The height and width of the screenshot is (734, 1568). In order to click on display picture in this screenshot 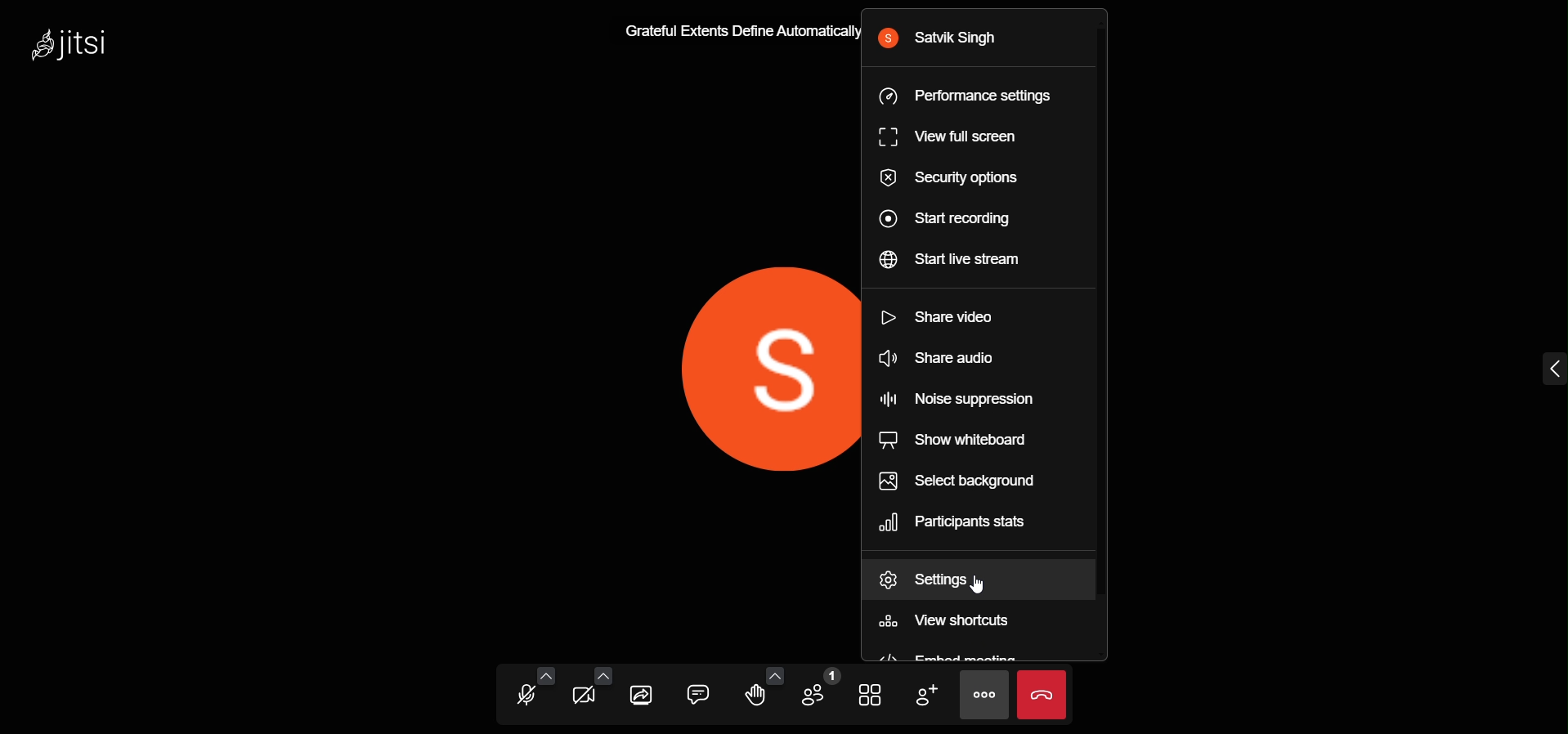, I will do `click(761, 368)`.